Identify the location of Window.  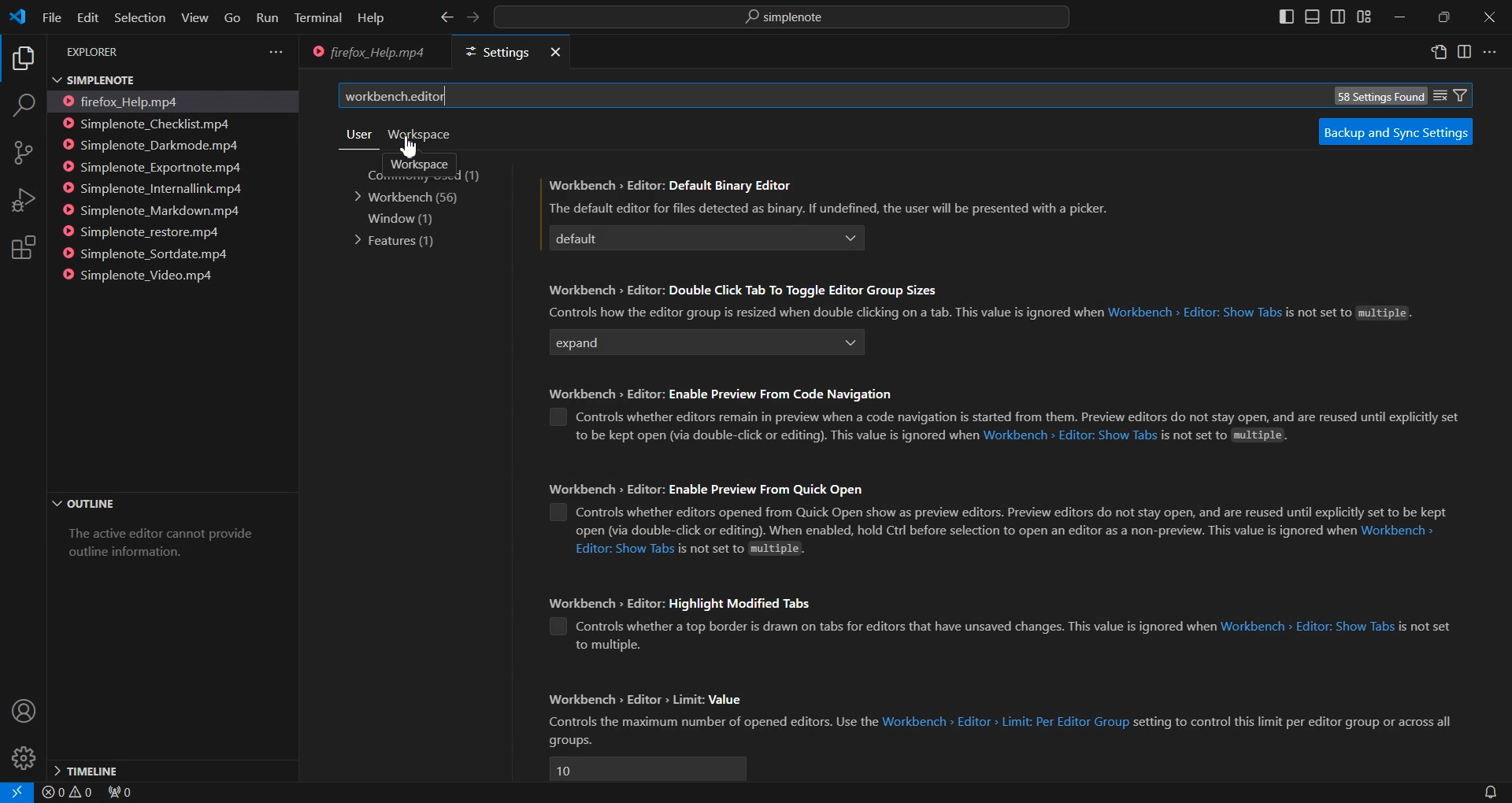
(399, 218).